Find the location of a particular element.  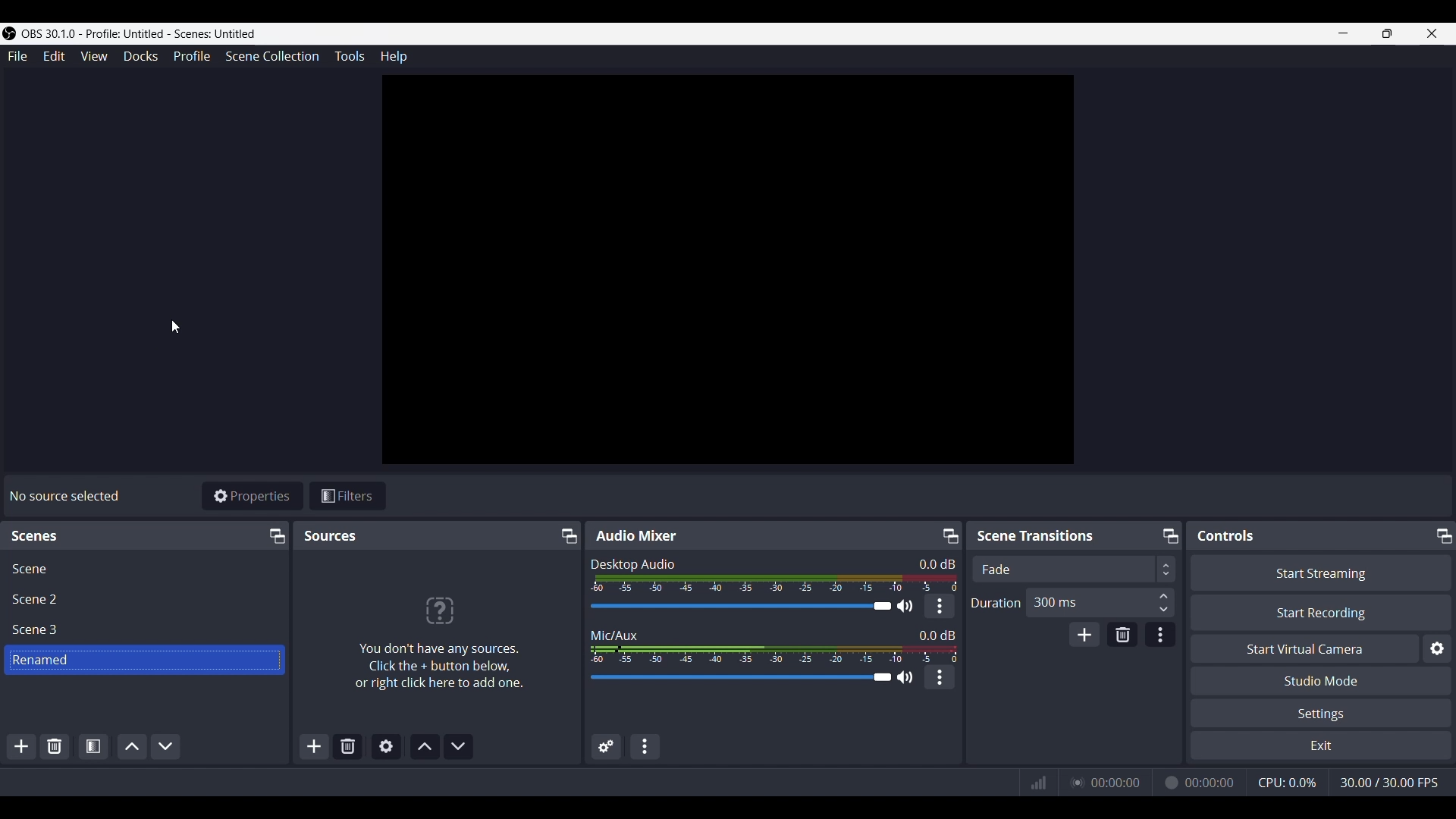

CPU Usage is located at coordinates (1288, 782).